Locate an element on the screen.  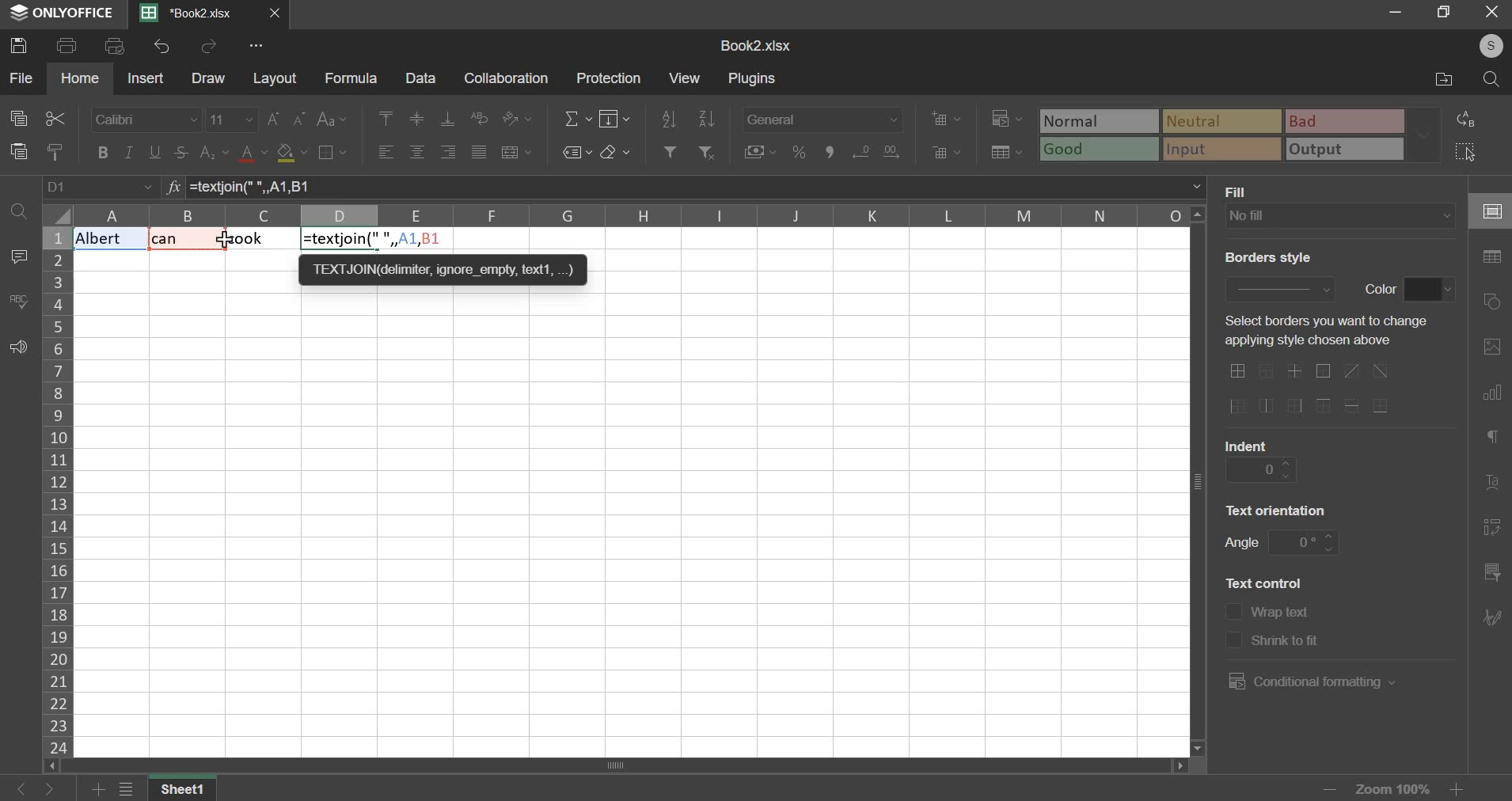
add filter is located at coordinates (668, 150).